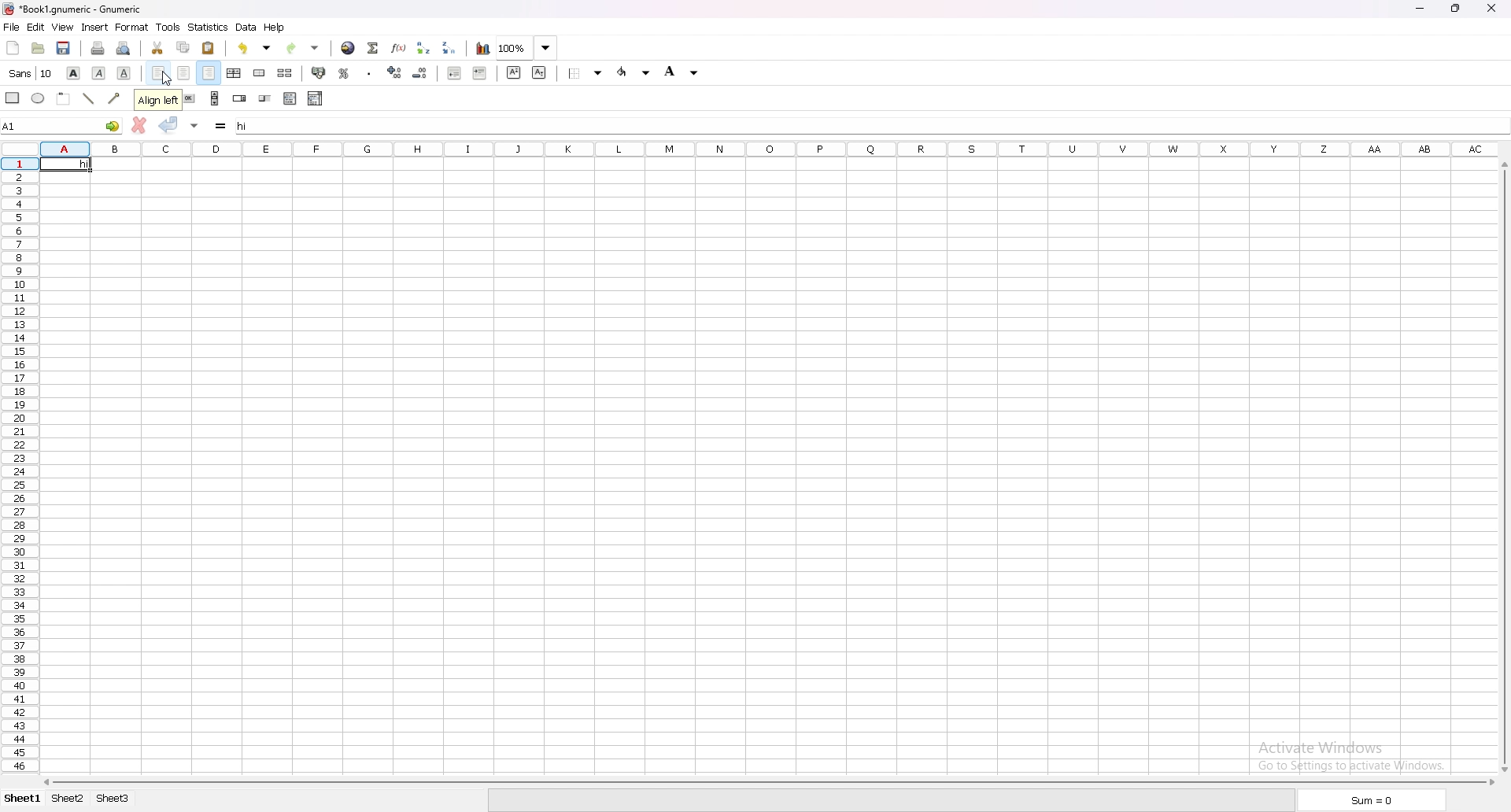 This screenshot has height=812, width=1511. What do you see at coordinates (529, 49) in the screenshot?
I see `zoom` at bounding box center [529, 49].